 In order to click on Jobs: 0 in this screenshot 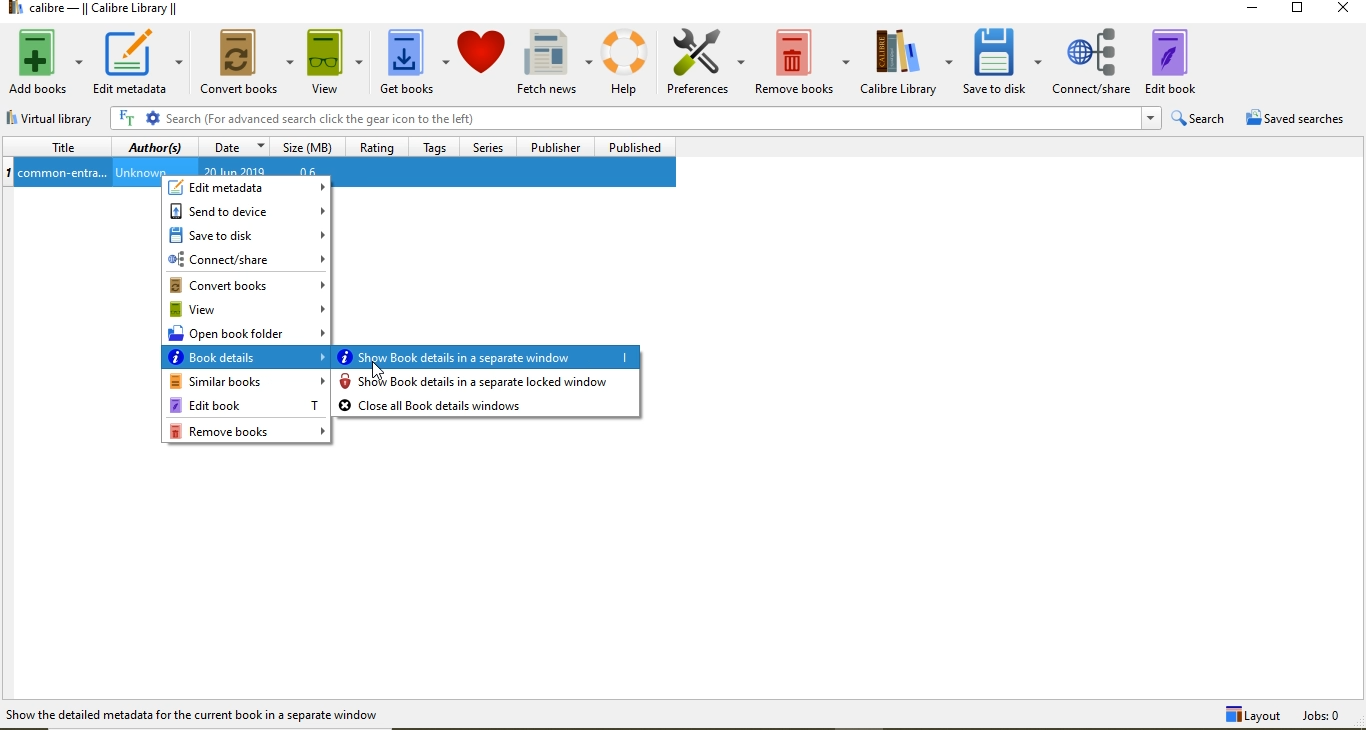, I will do `click(1332, 716)`.